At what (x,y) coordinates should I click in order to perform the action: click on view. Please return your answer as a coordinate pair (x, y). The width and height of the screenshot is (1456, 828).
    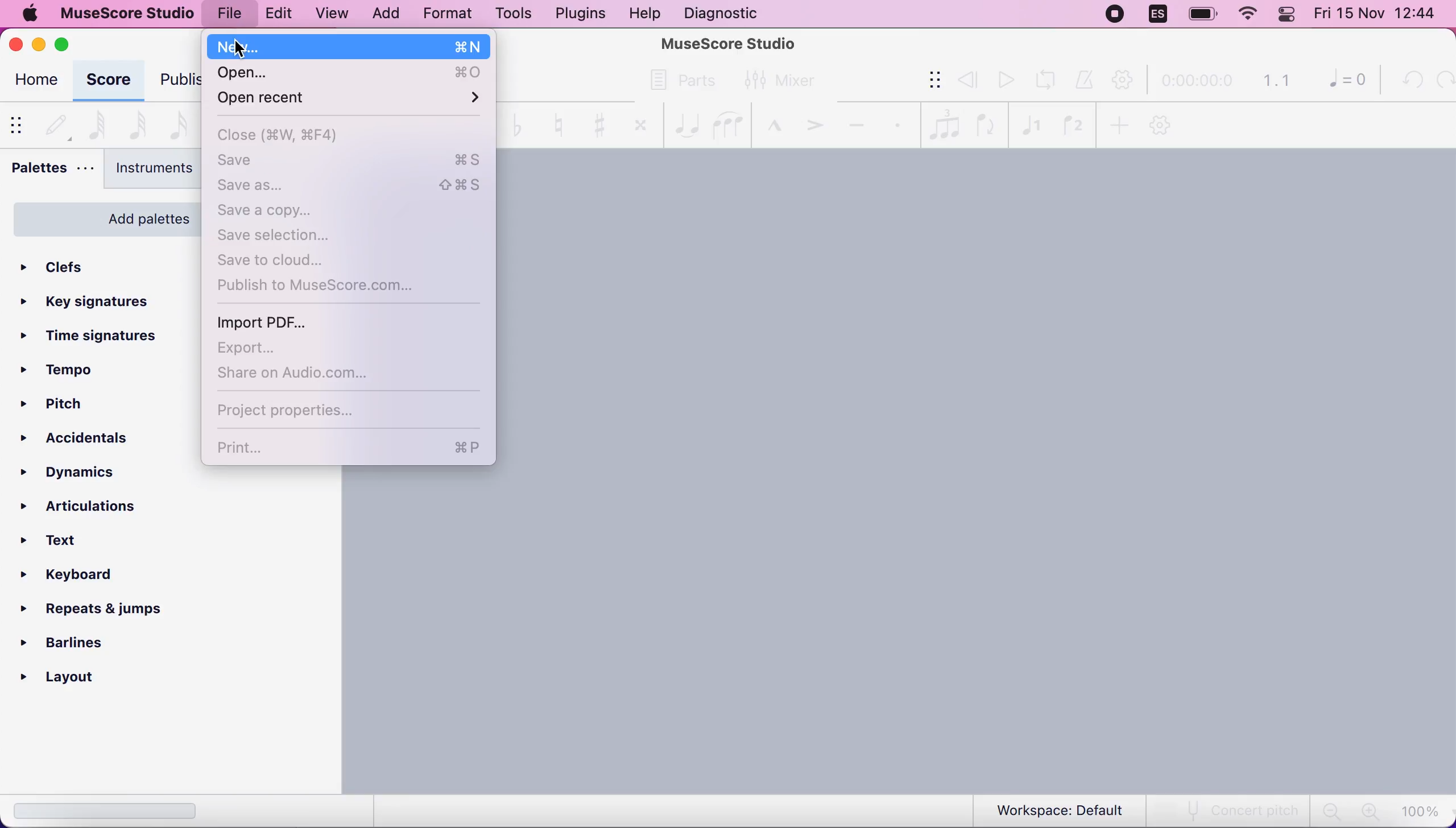
    Looking at the image, I should click on (331, 14).